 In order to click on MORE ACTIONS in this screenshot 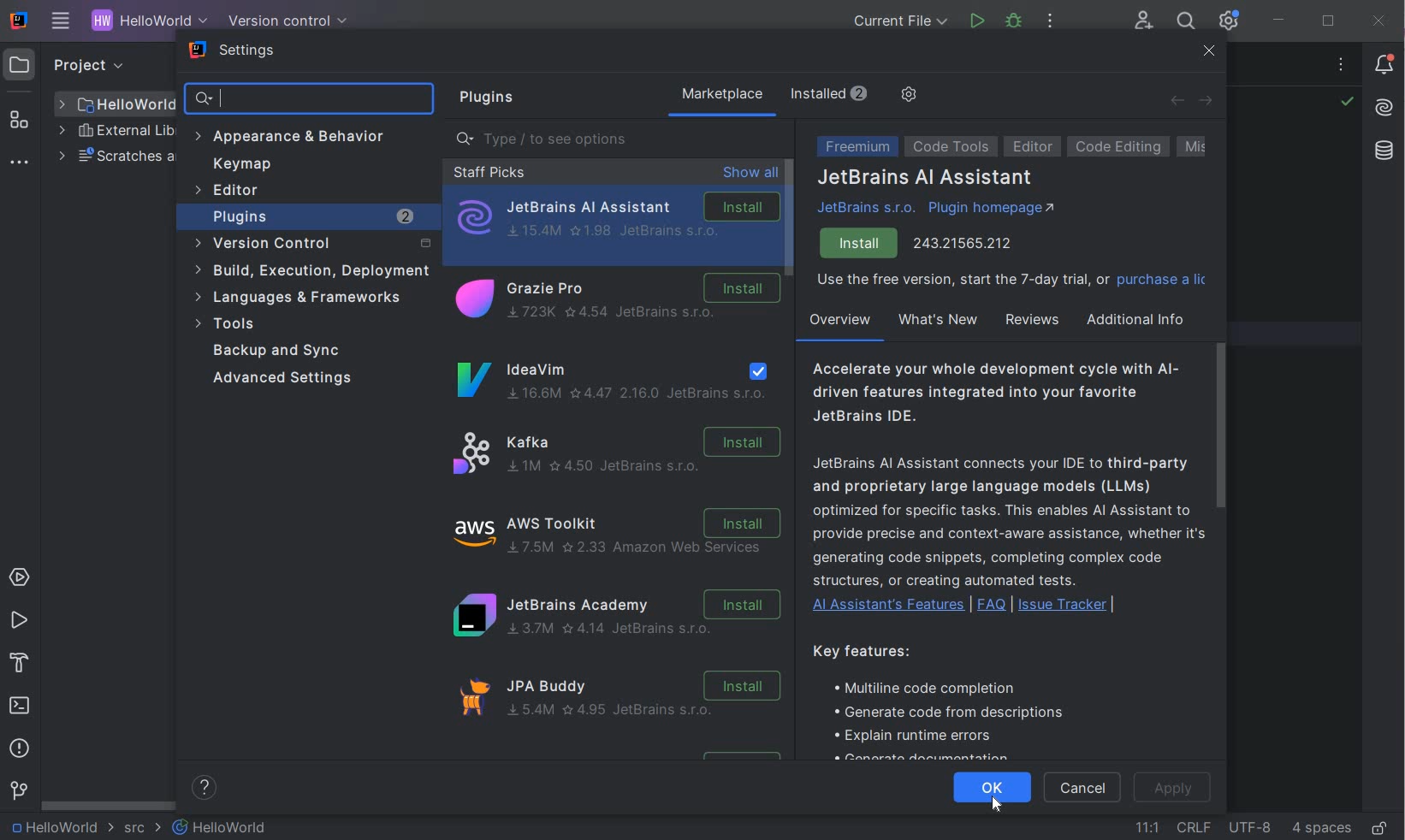, I will do `click(1051, 25)`.